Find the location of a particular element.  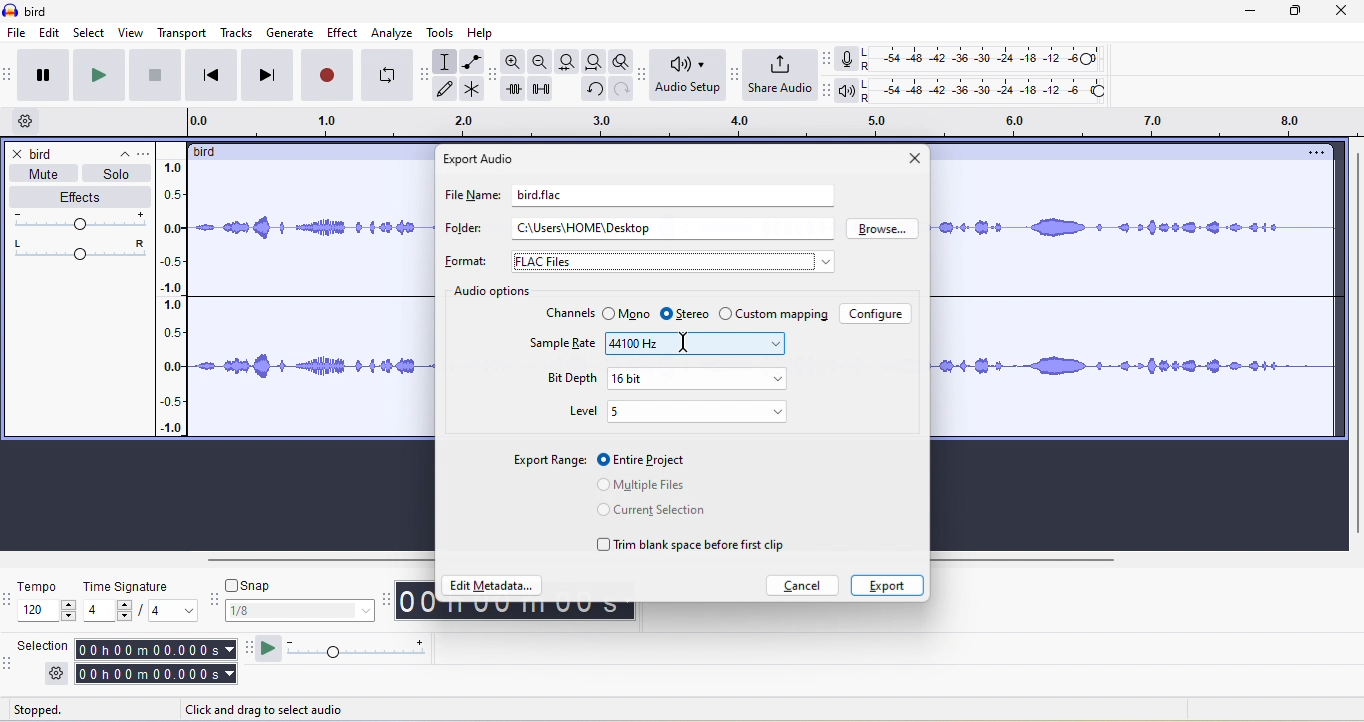

minimize is located at coordinates (1252, 13).